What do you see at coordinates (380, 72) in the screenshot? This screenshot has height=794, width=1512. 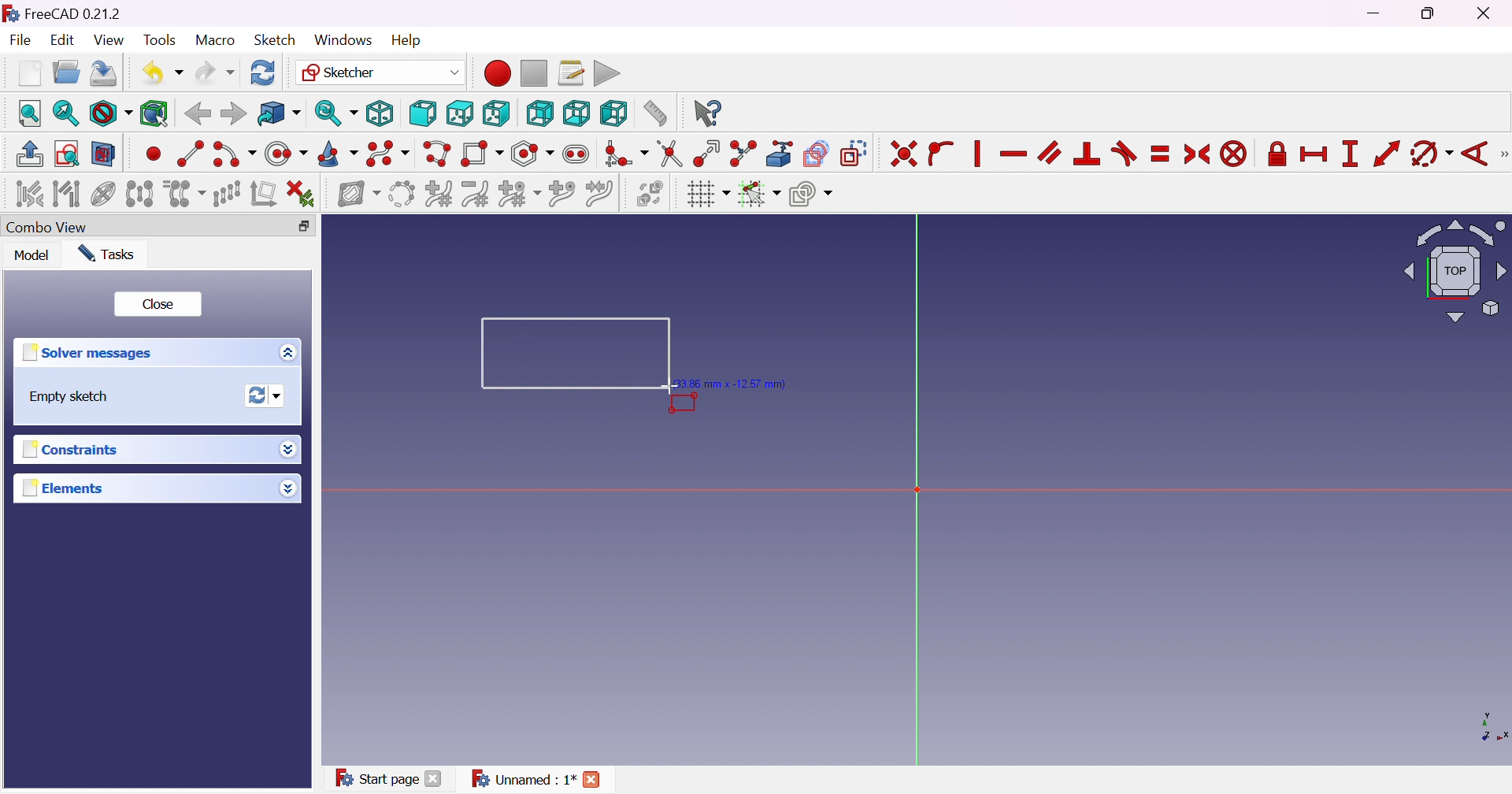 I see `Sketcher` at bounding box center [380, 72].